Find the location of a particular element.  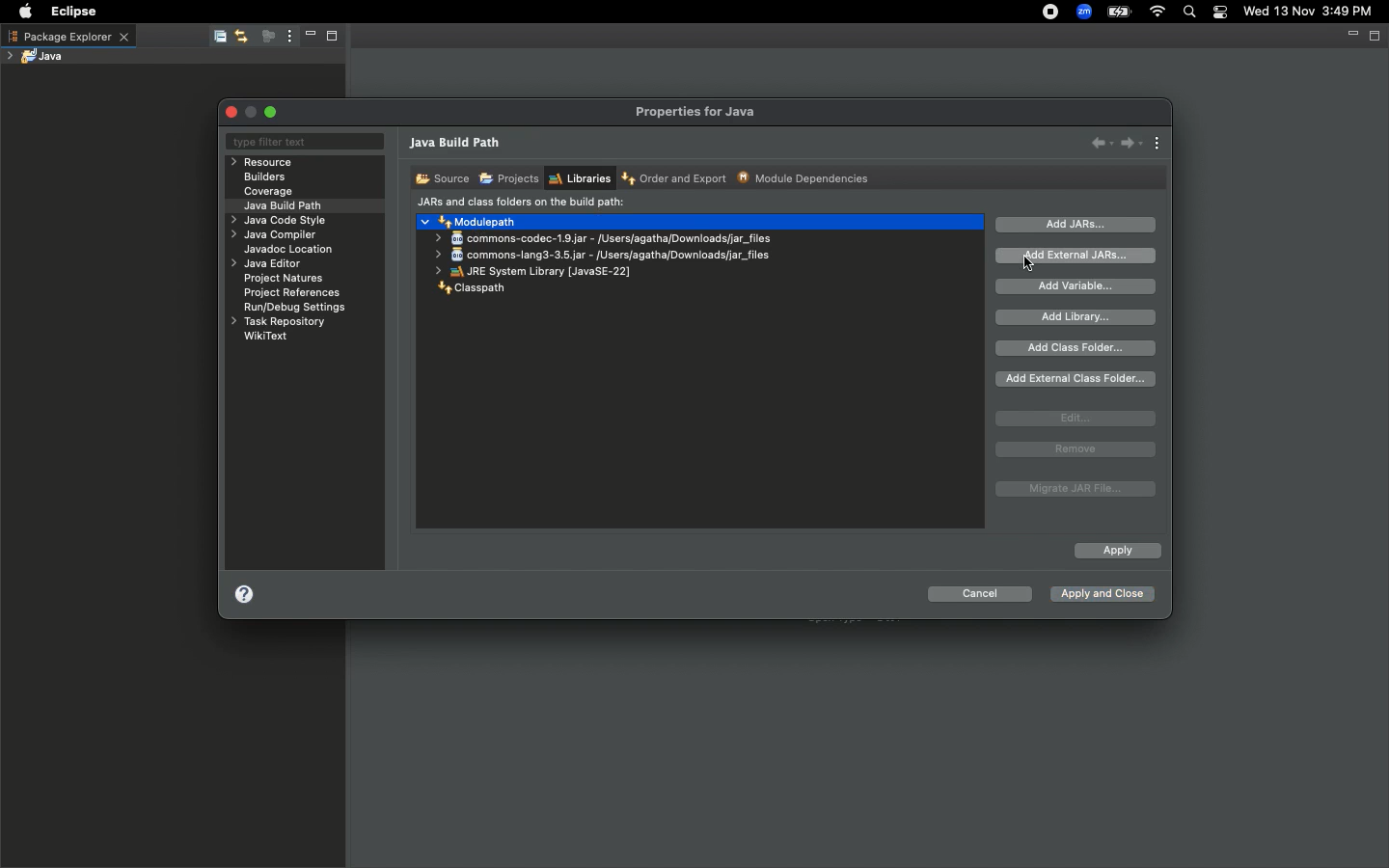

Module dependencies is located at coordinates (804, 177).